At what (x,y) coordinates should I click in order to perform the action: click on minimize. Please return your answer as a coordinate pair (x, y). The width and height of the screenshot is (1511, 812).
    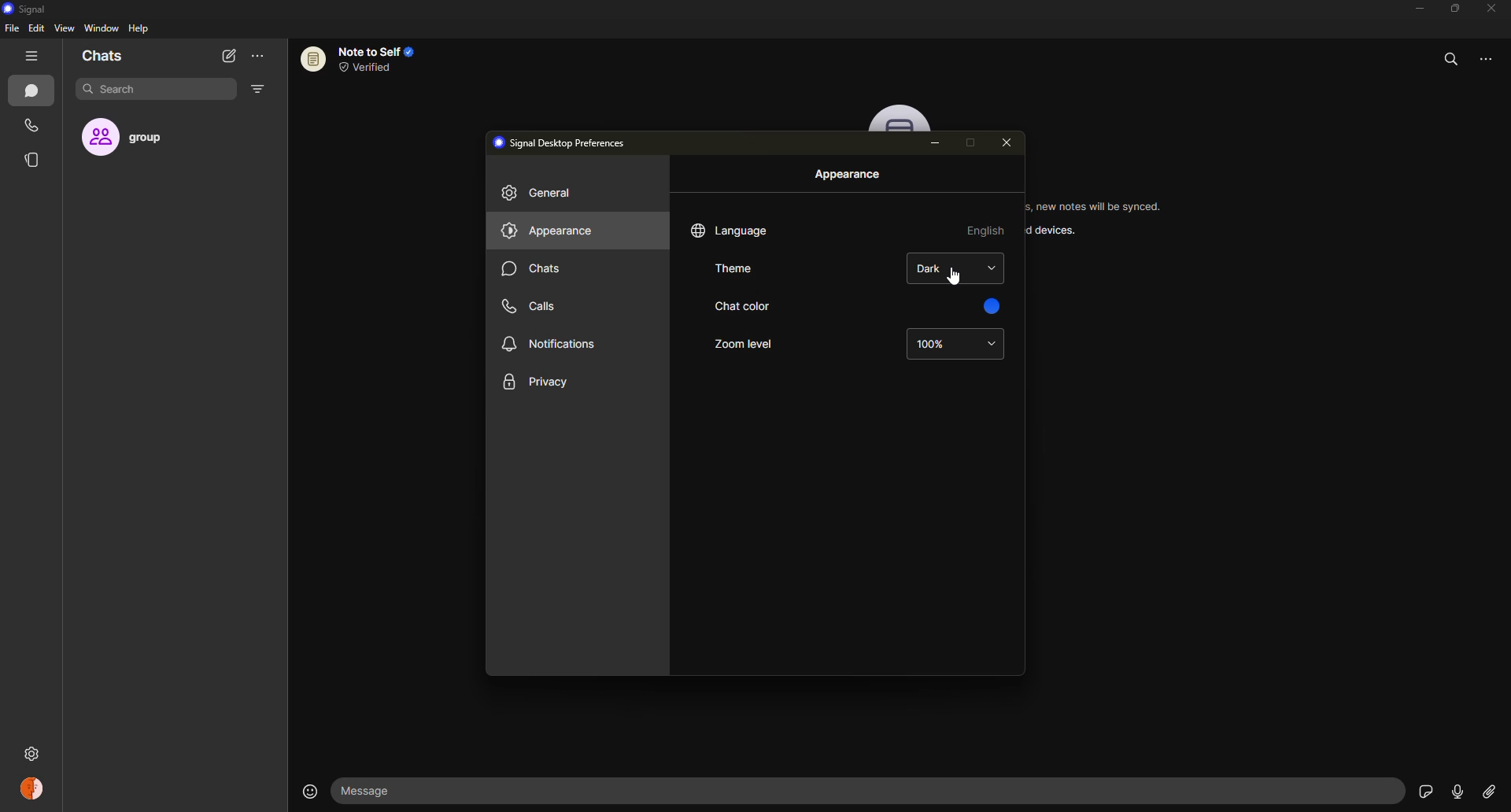
    Looking at the image, I should click on (1412, 10).